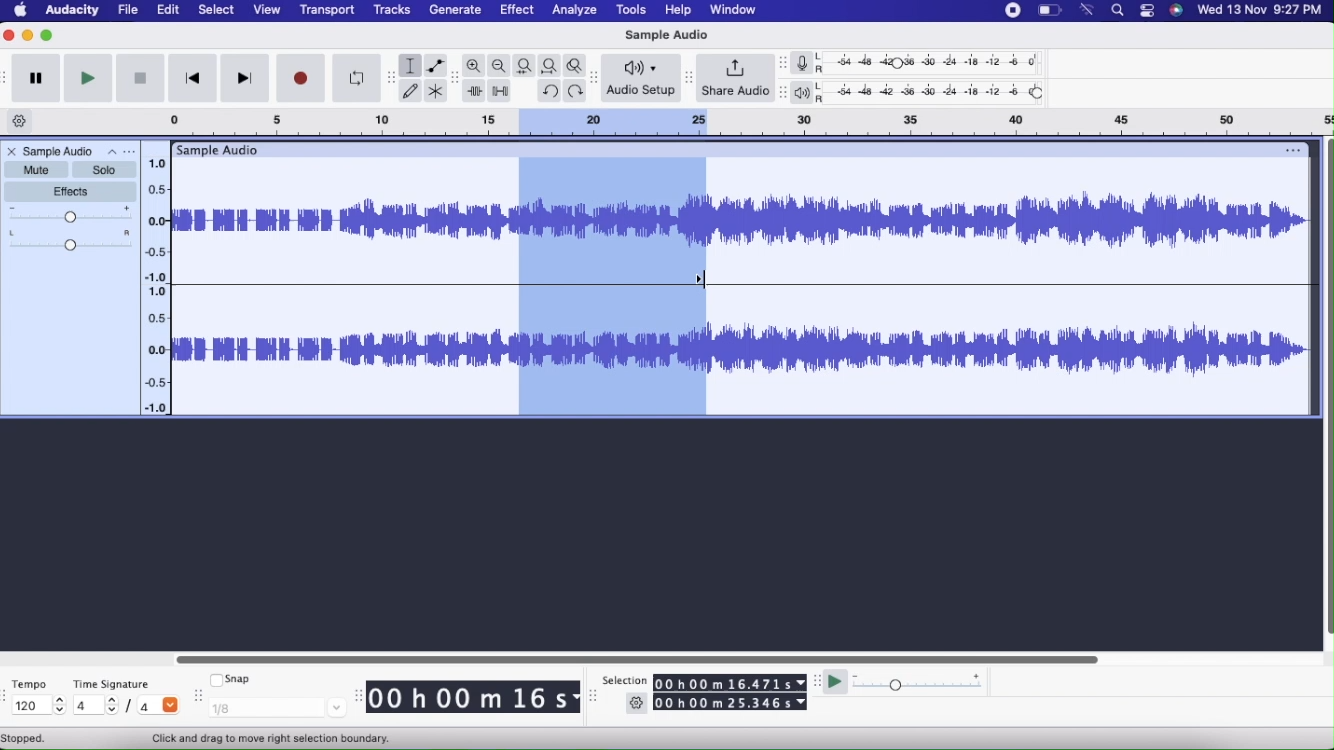 This screenshot has width=1334, height=750. What do you see at coordinates (783, 93) in the screenshot?
I see `move toolbar` at bounding box center [783, 93].